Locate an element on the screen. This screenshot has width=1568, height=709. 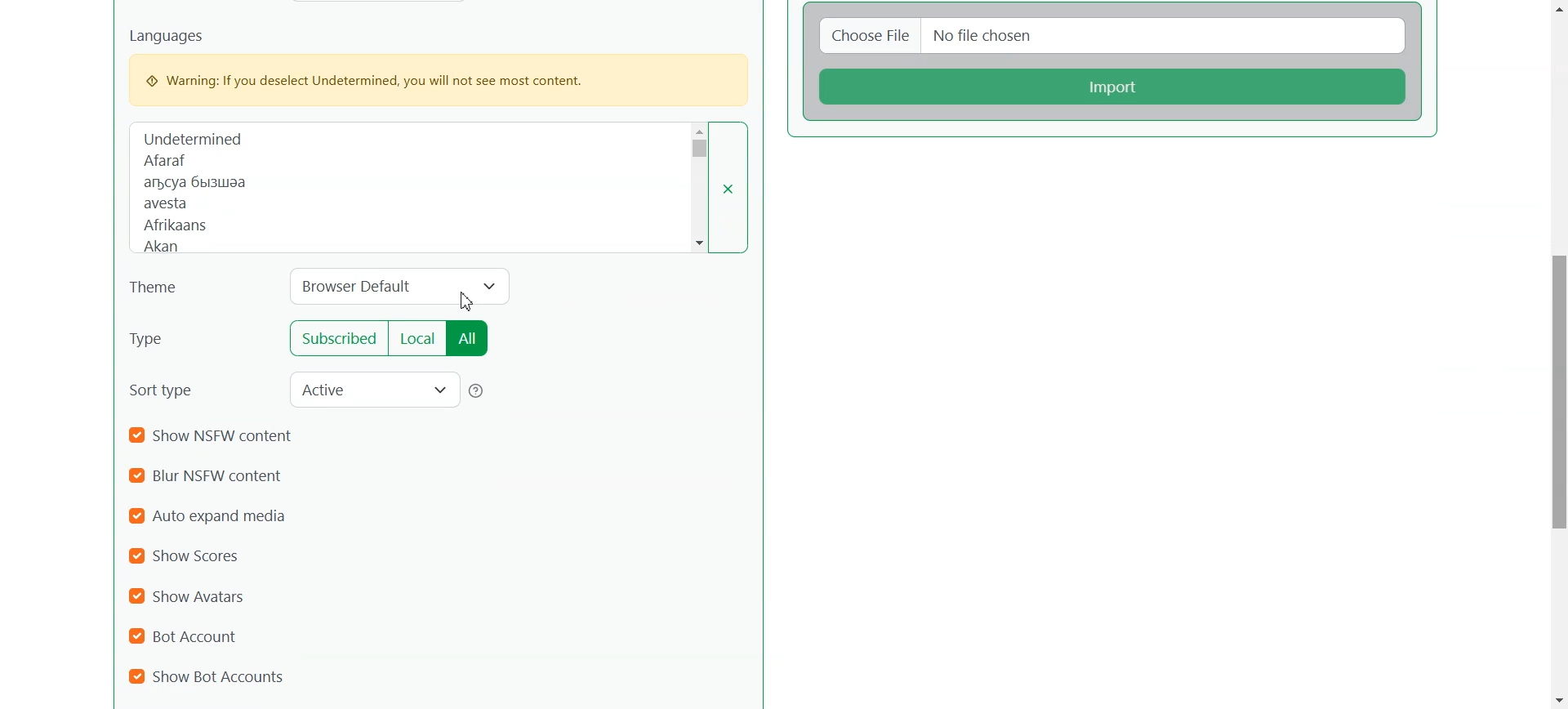
Local is located at coordinates (416, 338).